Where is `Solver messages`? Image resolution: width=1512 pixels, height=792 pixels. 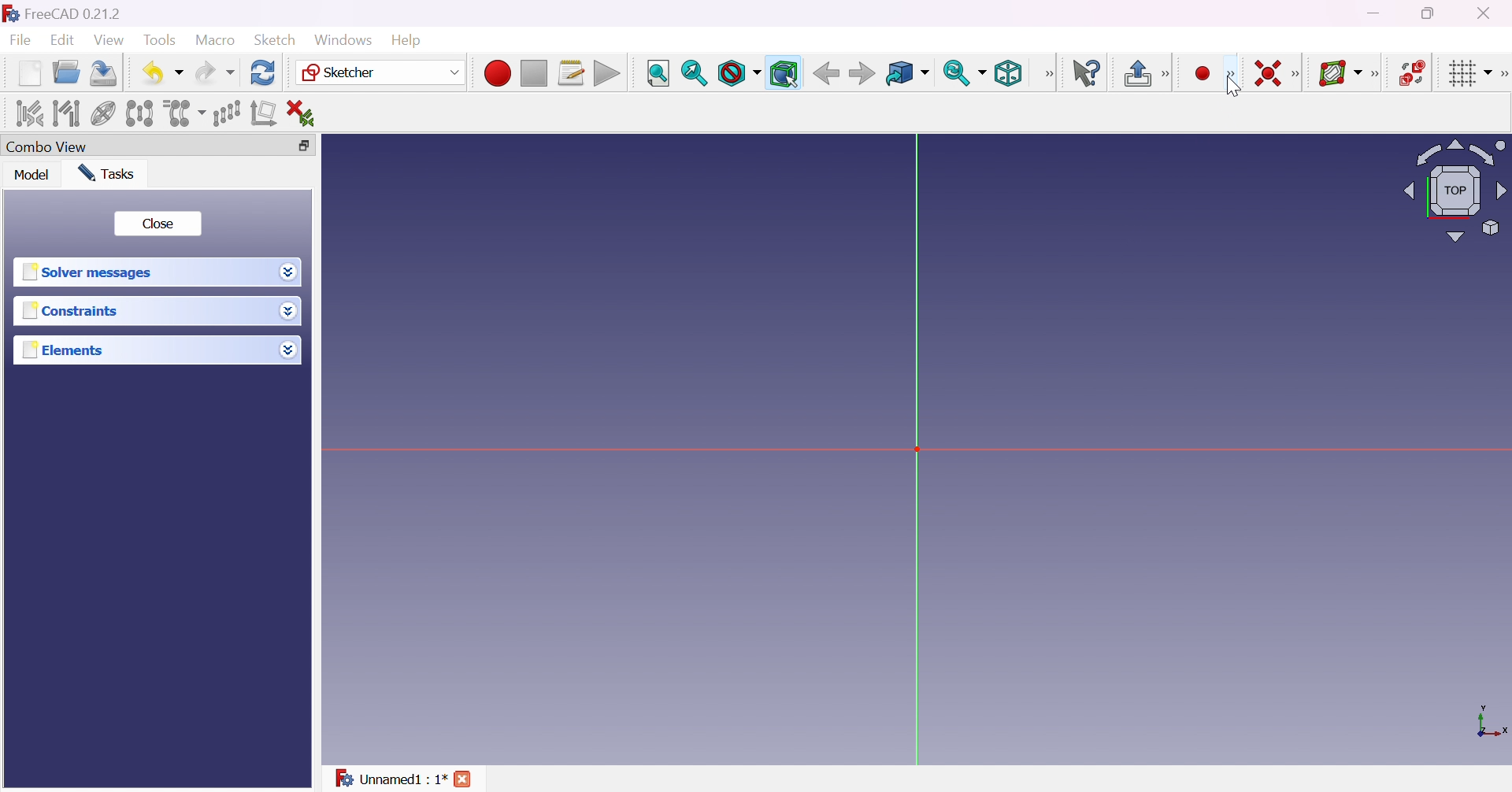 Solver messages is located at coordinates (87, 272).